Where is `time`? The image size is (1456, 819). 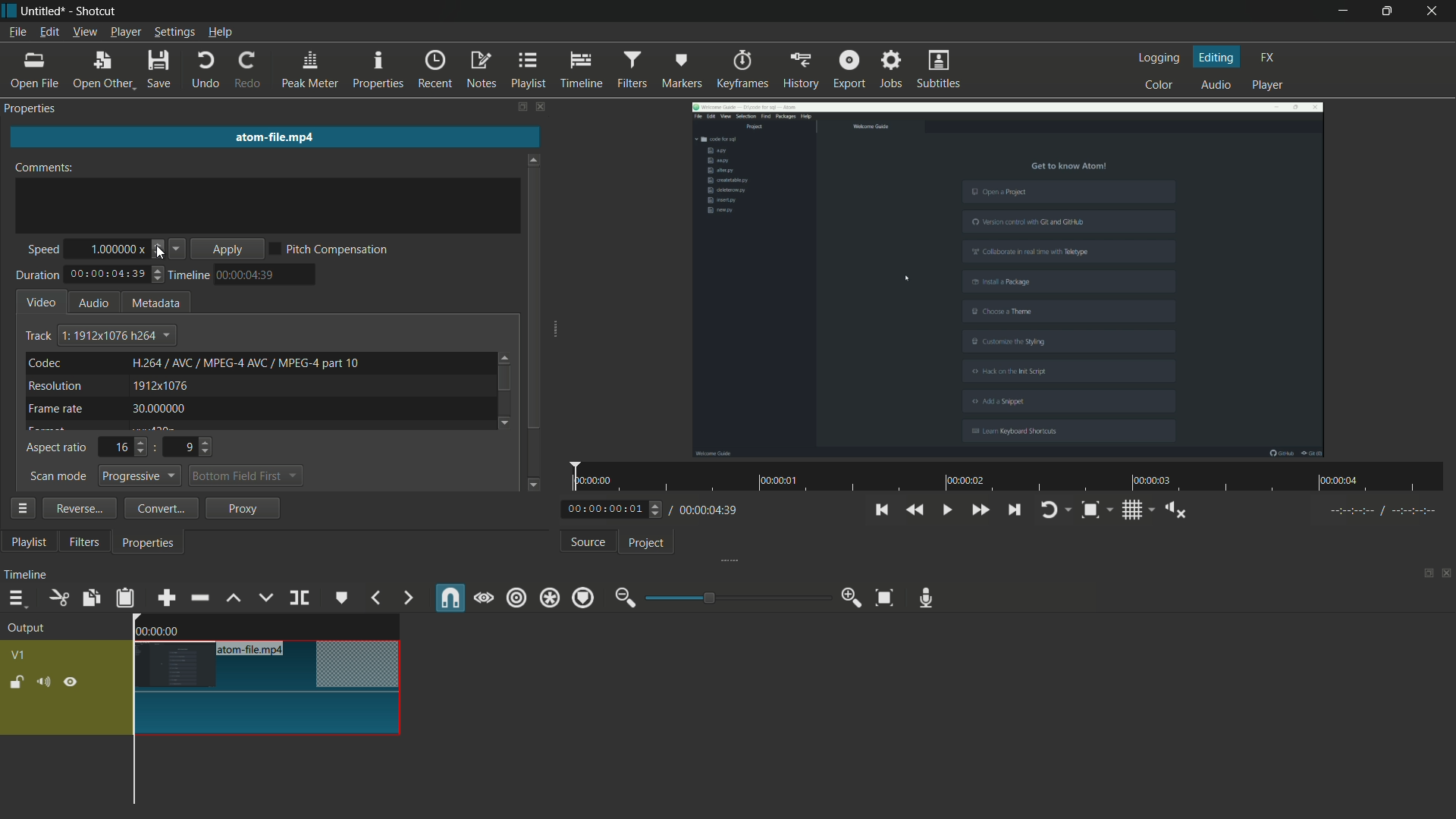
time is located at coordinates (1013, 477).